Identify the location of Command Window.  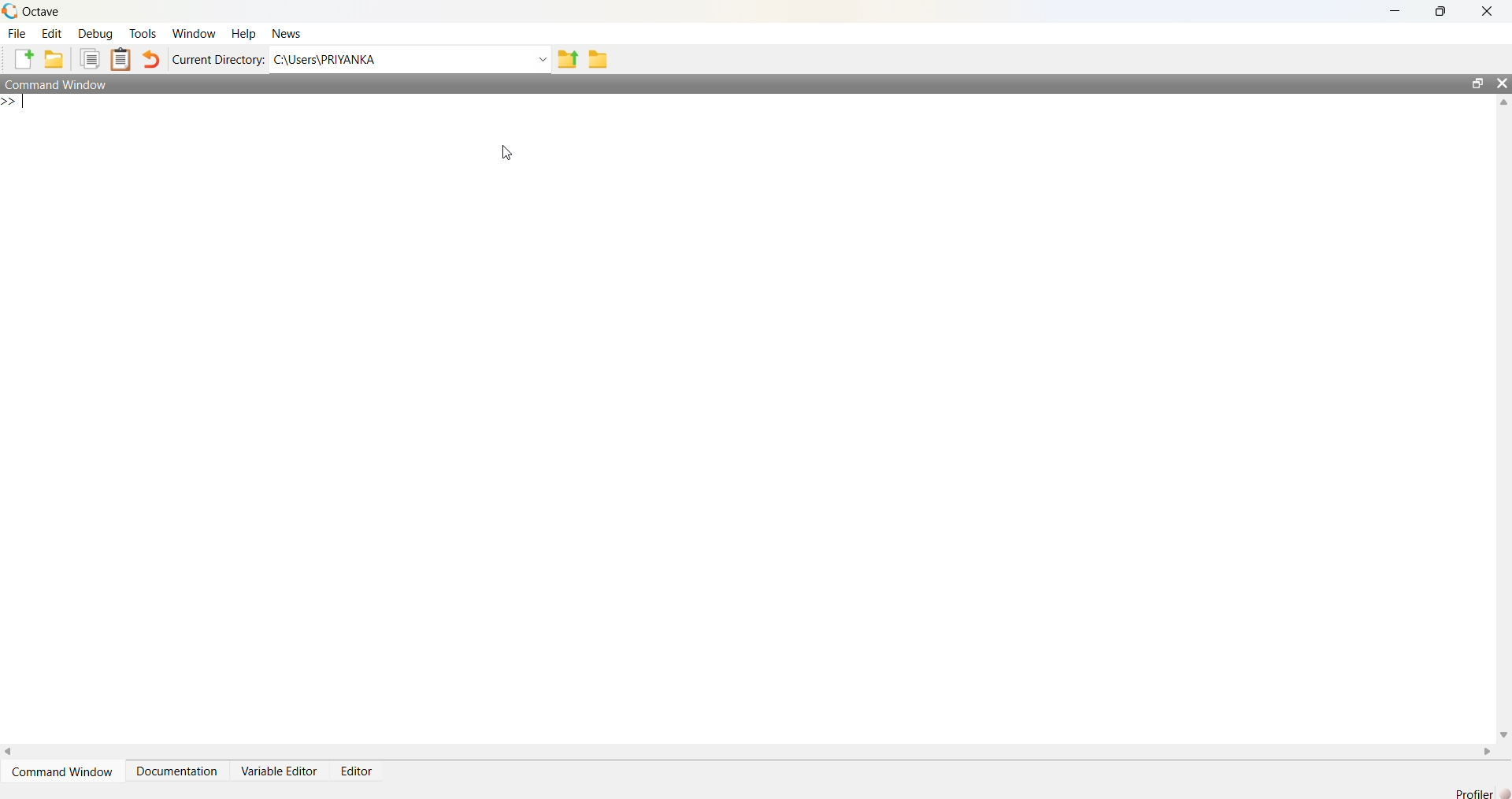
(63, 771).